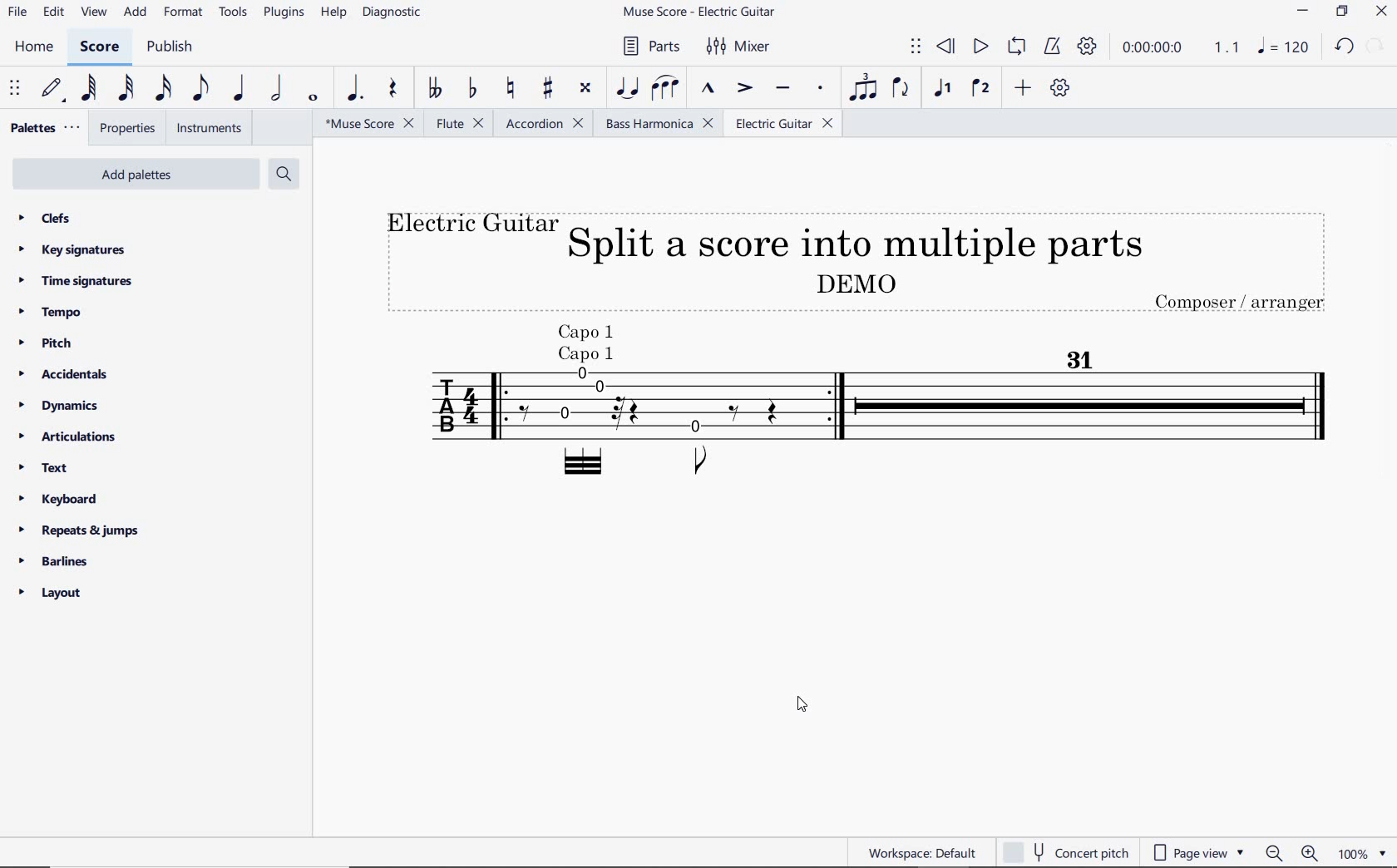  Describe the element at coordinates (659, 123) in the screenshot. I see `Bass Harmonica (score split into multiple parts)` at that location.